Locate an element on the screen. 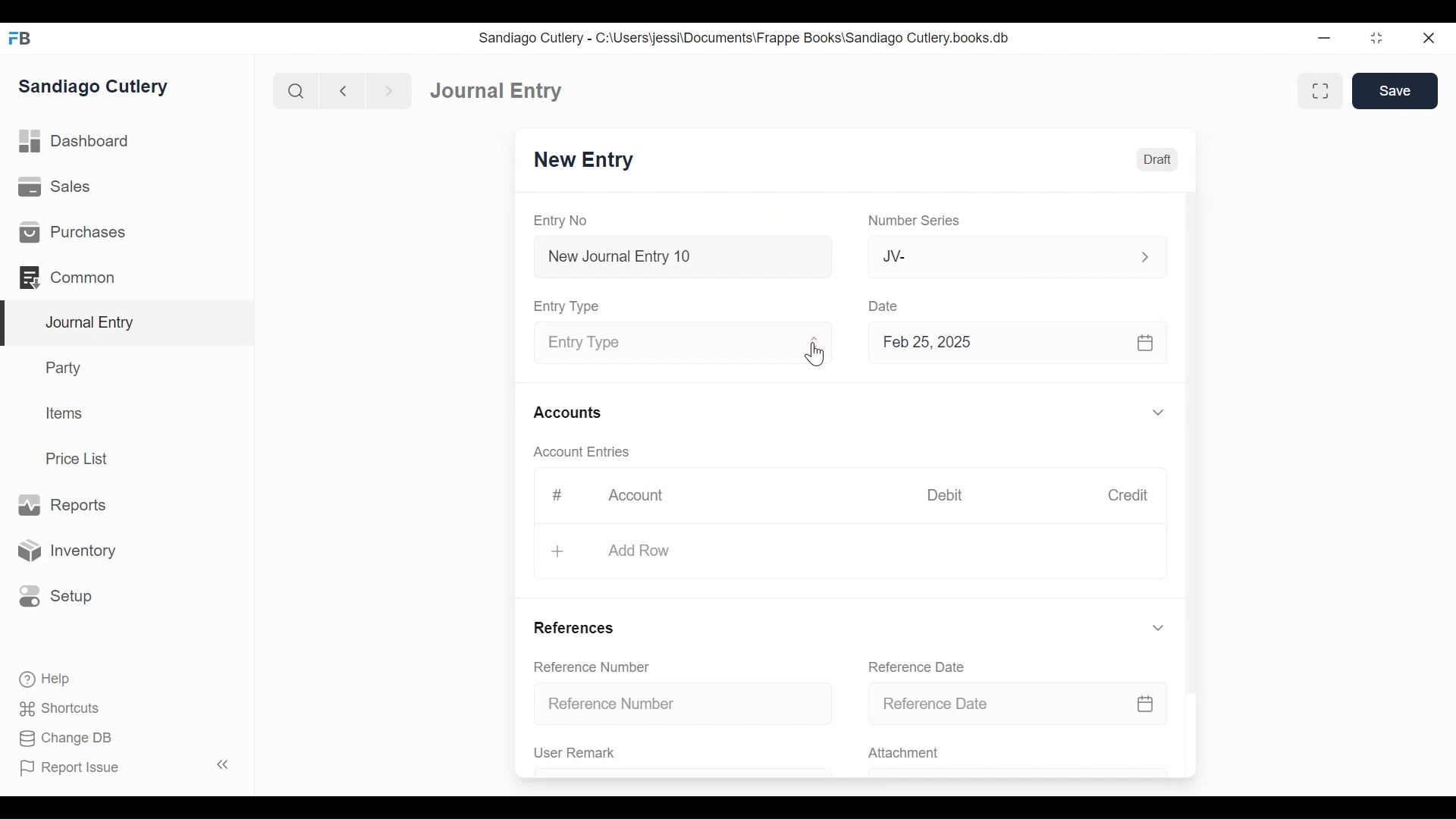 This screenshot has height=819, width=1456. Restore is located at coordinates (1376, 39).